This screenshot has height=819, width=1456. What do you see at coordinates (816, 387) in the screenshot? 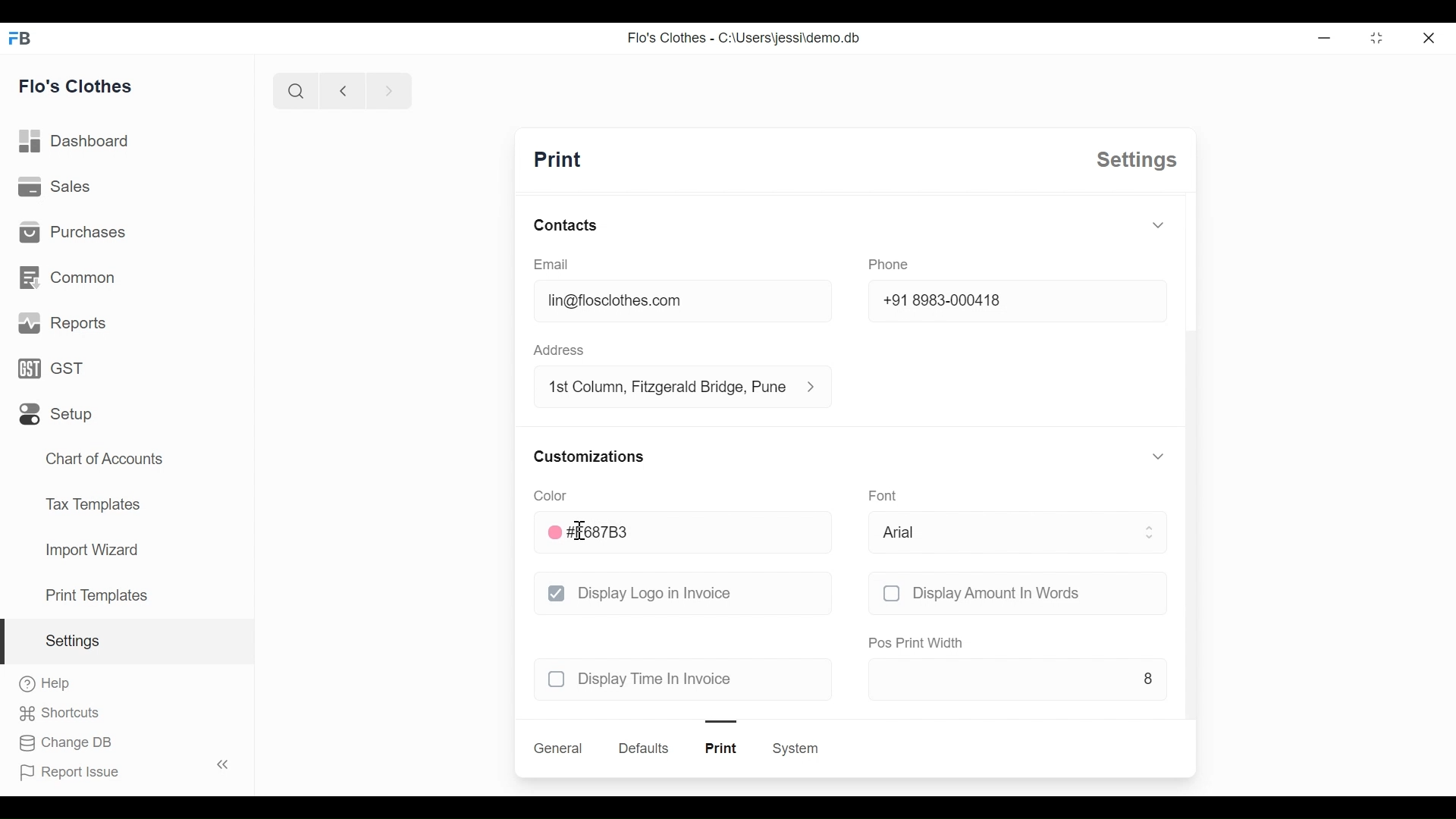
I see `address information` at bounding box center [816, 387].